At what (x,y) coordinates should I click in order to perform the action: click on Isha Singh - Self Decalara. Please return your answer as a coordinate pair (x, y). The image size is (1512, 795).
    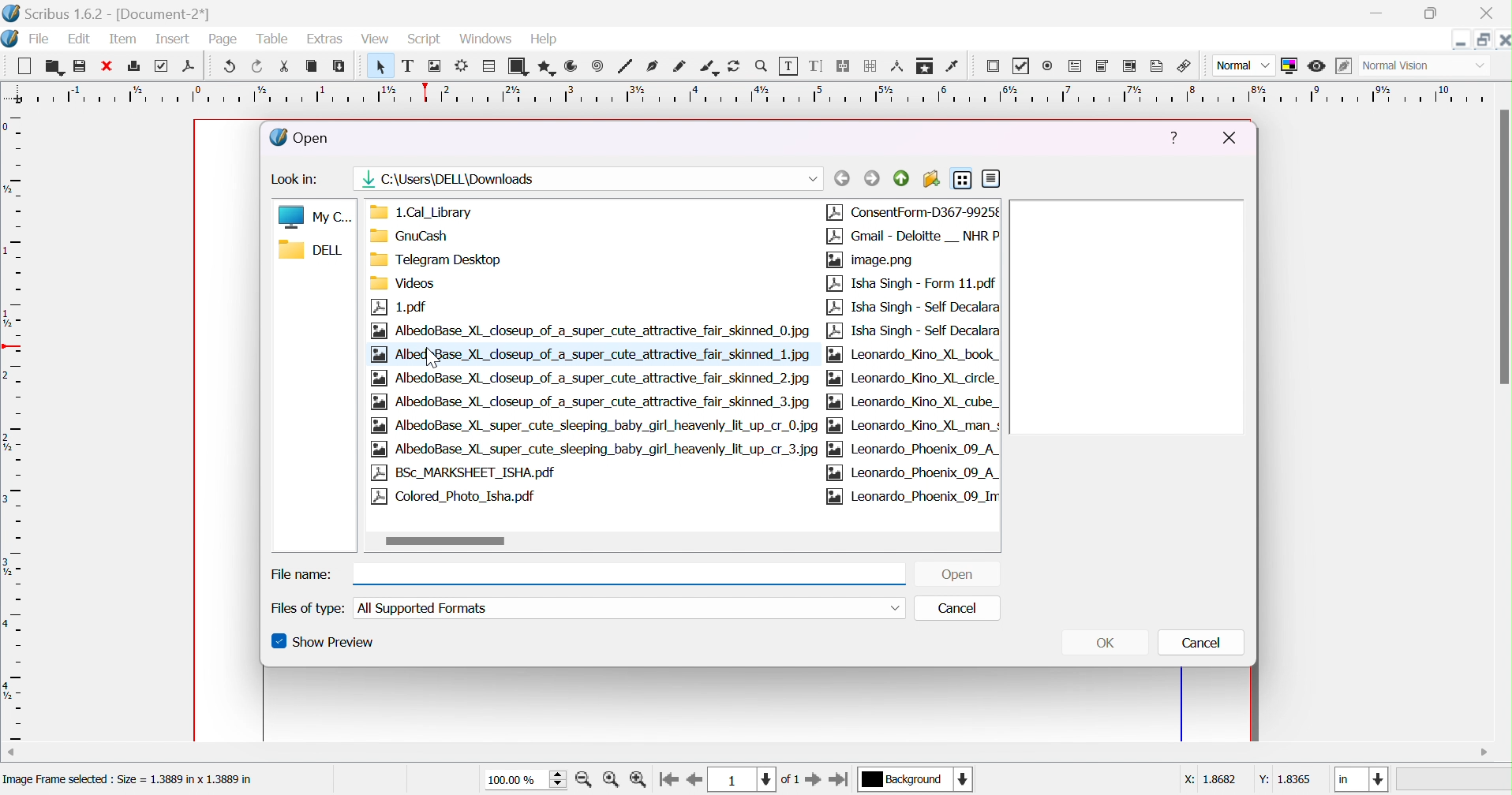
    Looking at the image, I should click on (902, 308).